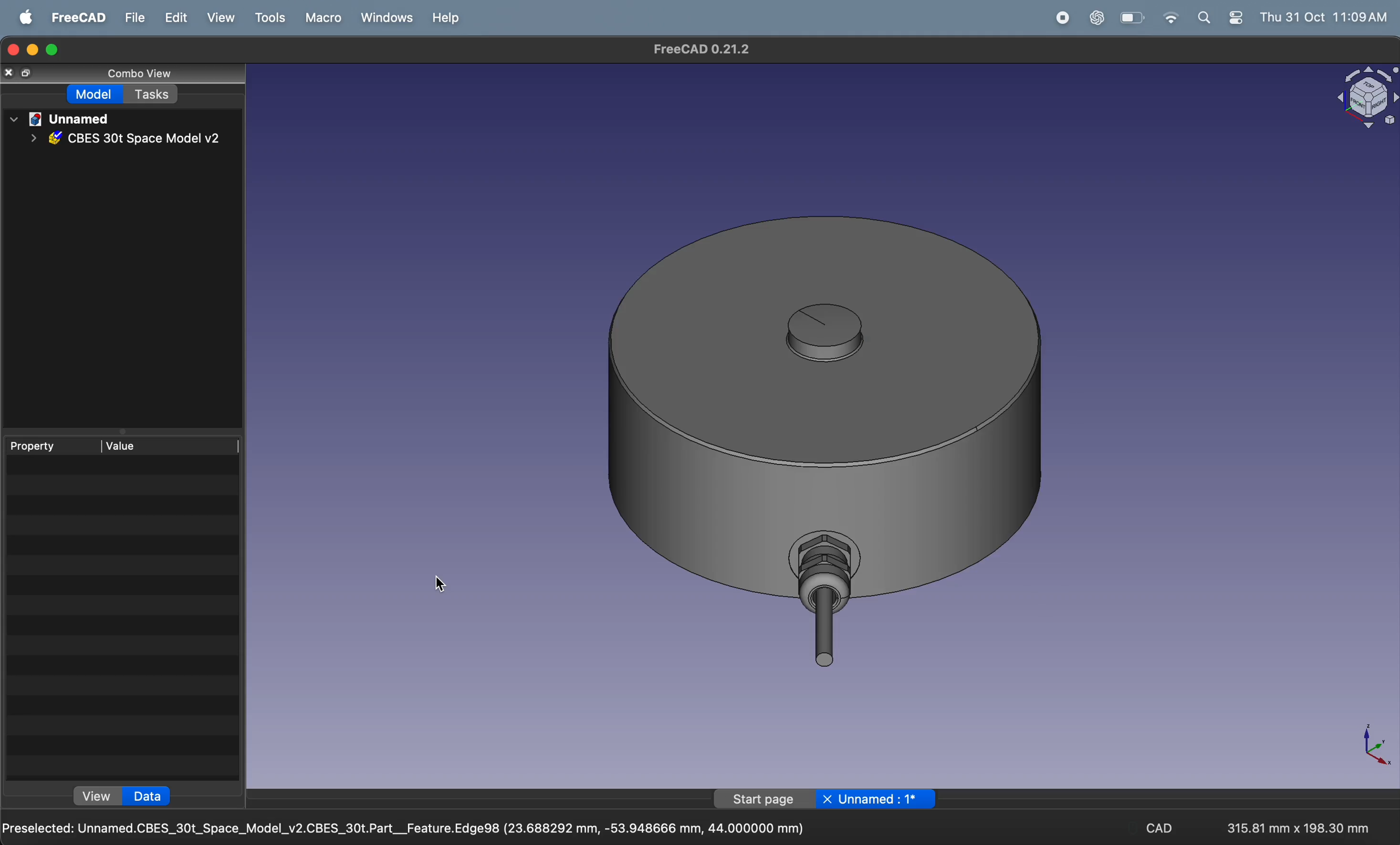 Image resolution: width=1400 pixels, height=845 pixels. I want to click on windows, so click(389, 18).